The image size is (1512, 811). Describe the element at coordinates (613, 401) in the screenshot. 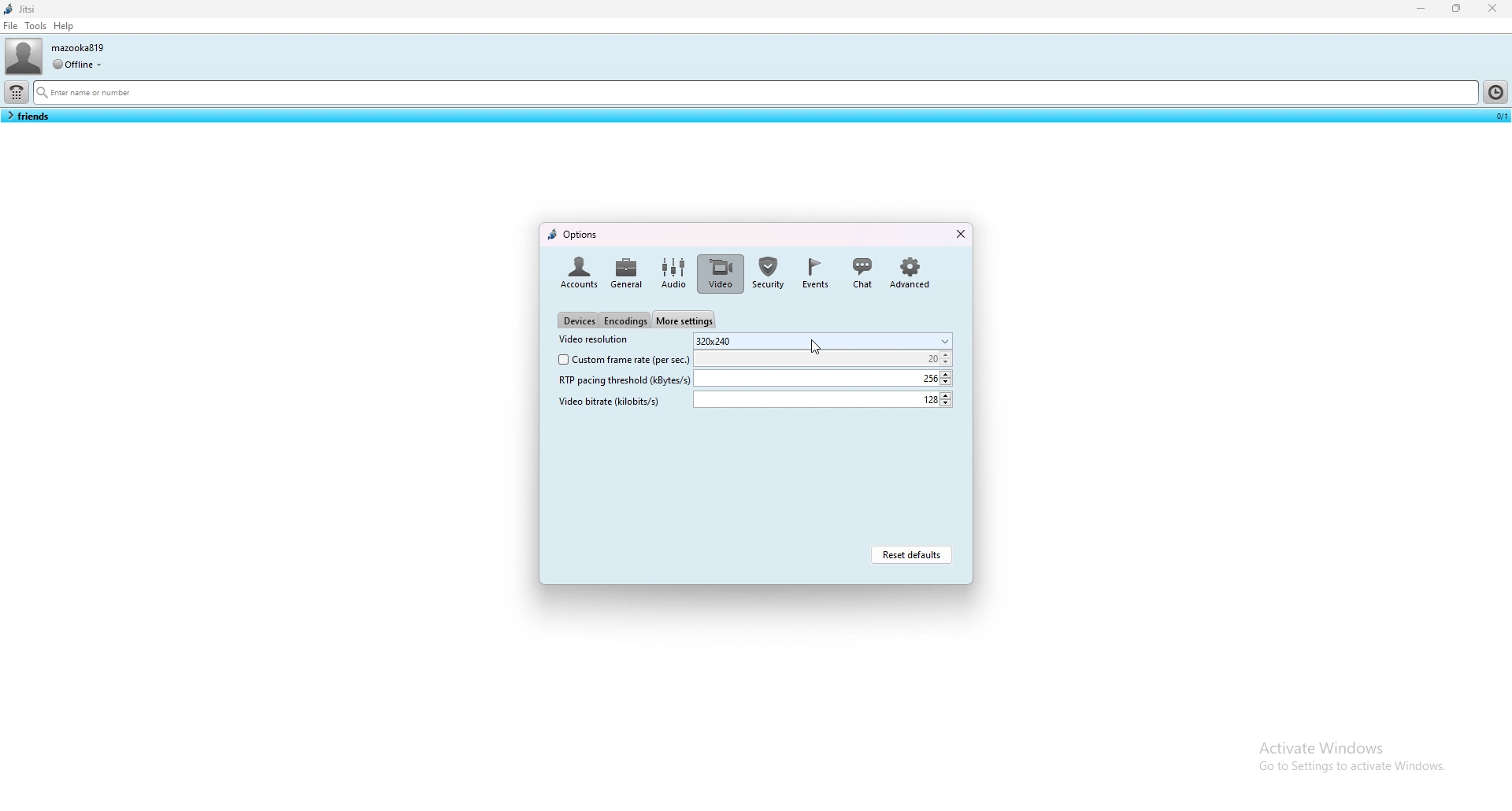

I see `video bitrate` at that location.